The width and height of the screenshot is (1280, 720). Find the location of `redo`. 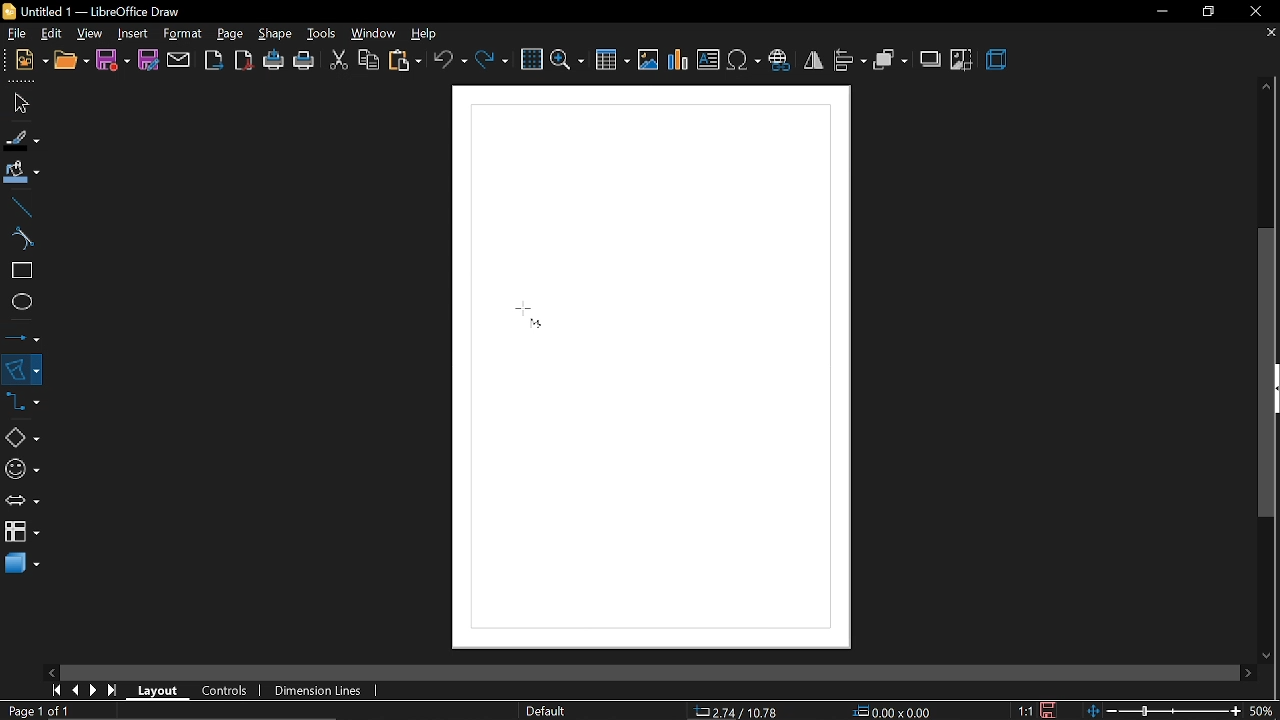

redo is located at coordinates (491, 58).